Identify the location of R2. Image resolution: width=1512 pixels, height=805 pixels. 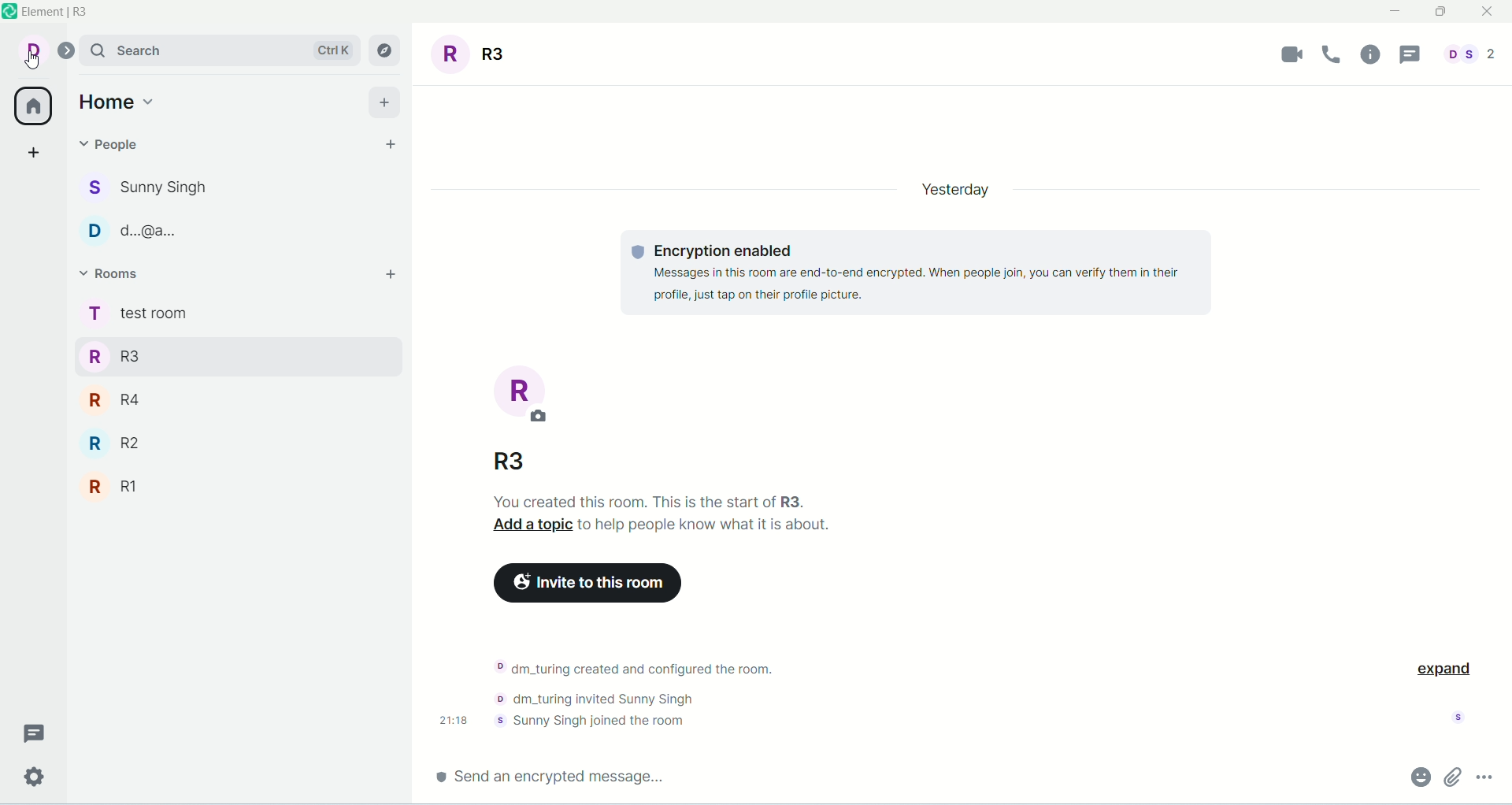
(212, 443).